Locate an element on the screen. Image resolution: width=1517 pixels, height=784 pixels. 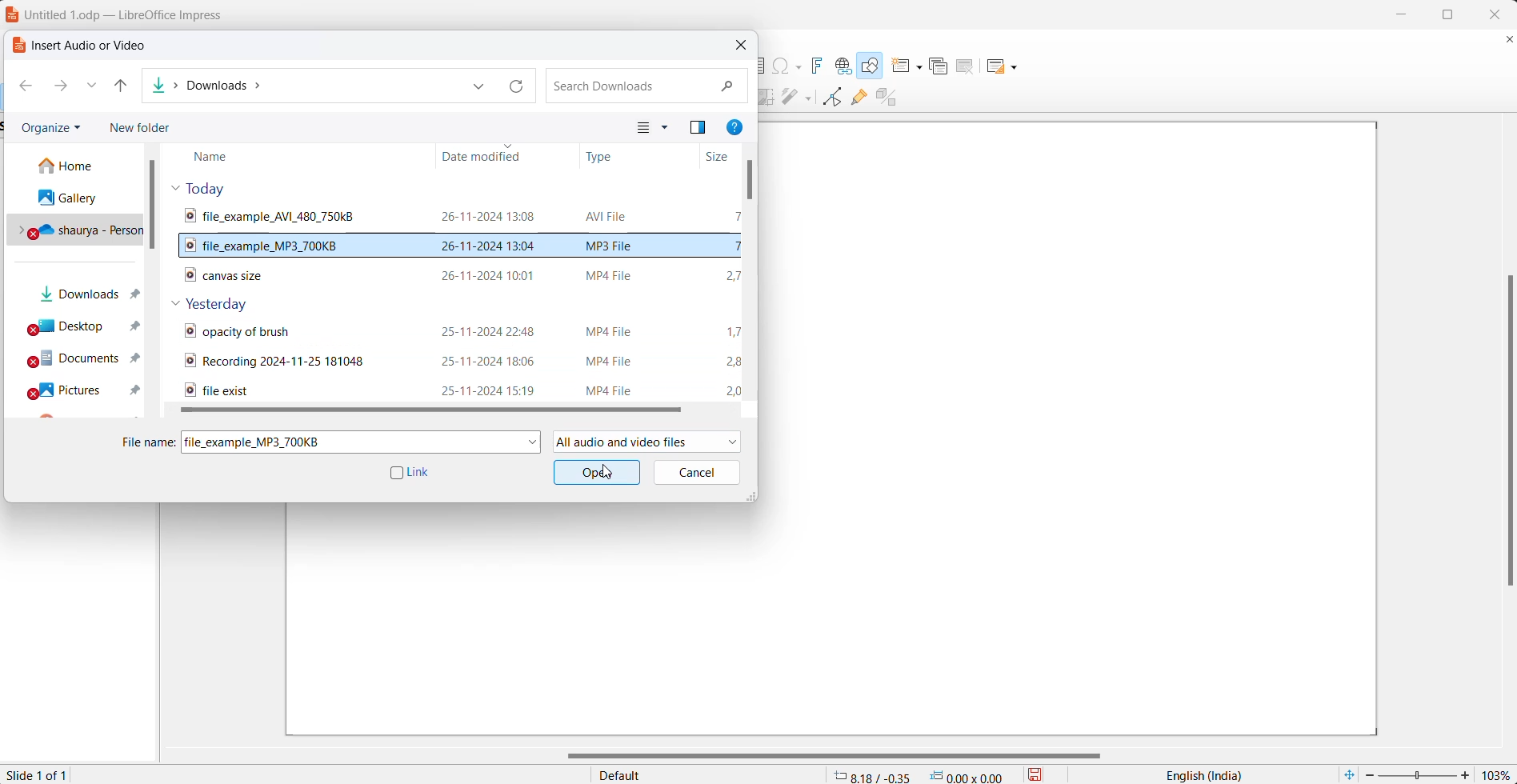
video files name is located at coordinates (308, 361).